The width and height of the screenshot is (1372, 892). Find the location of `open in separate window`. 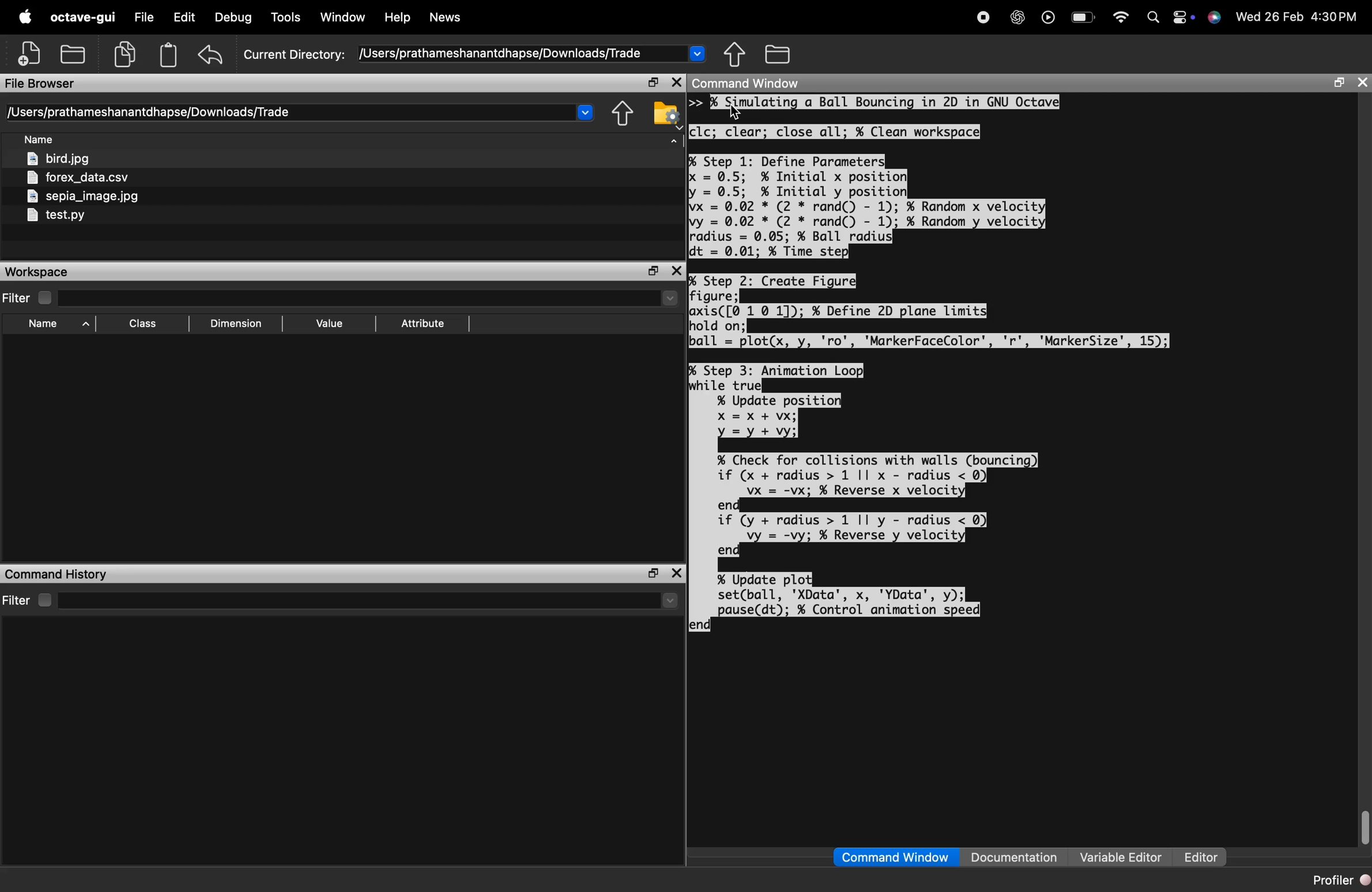

open in separate window is located at coordinates (654, 270).